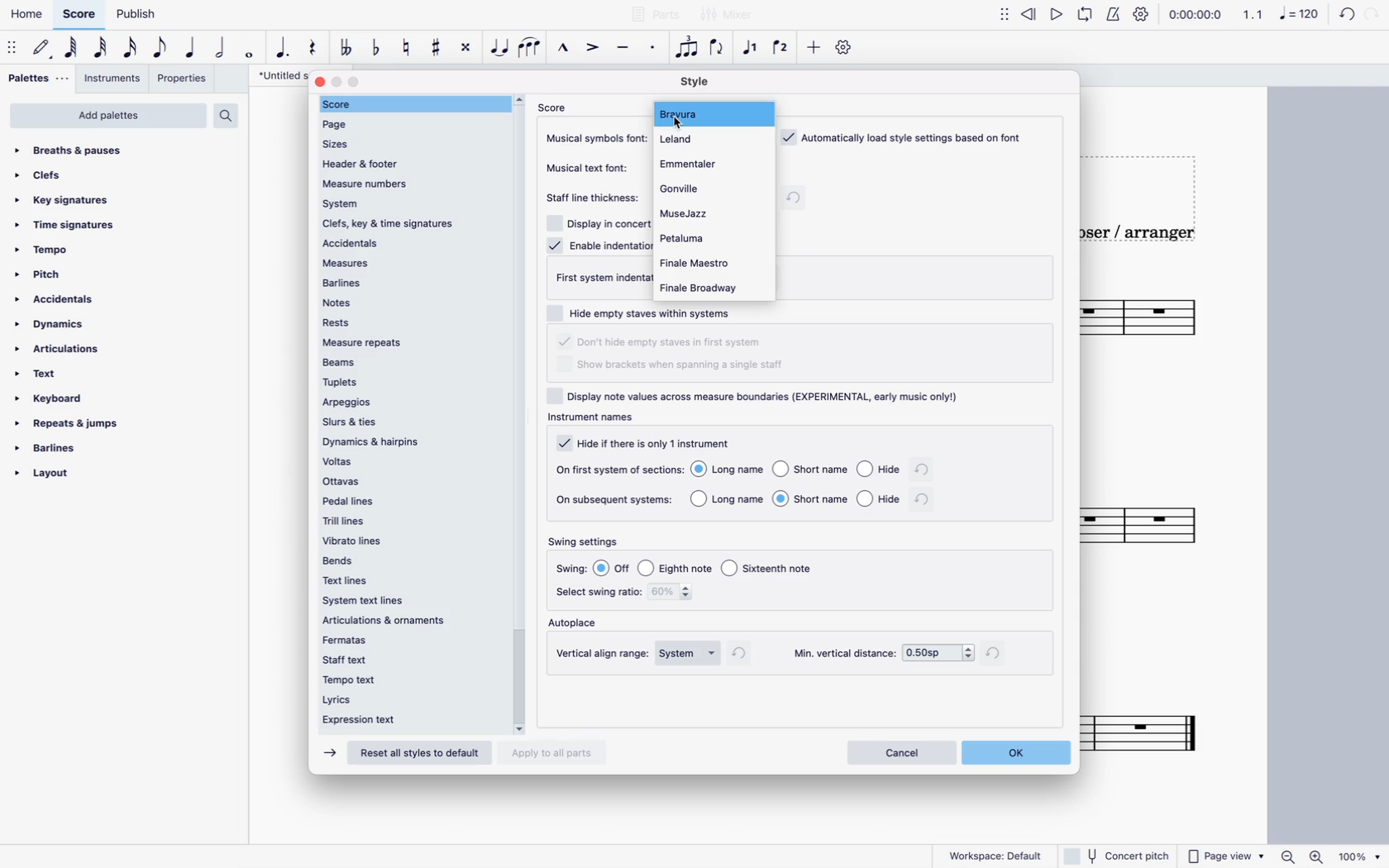 The image size is (1389, 868). I want to click on staff line thickness, so click(596, 193).